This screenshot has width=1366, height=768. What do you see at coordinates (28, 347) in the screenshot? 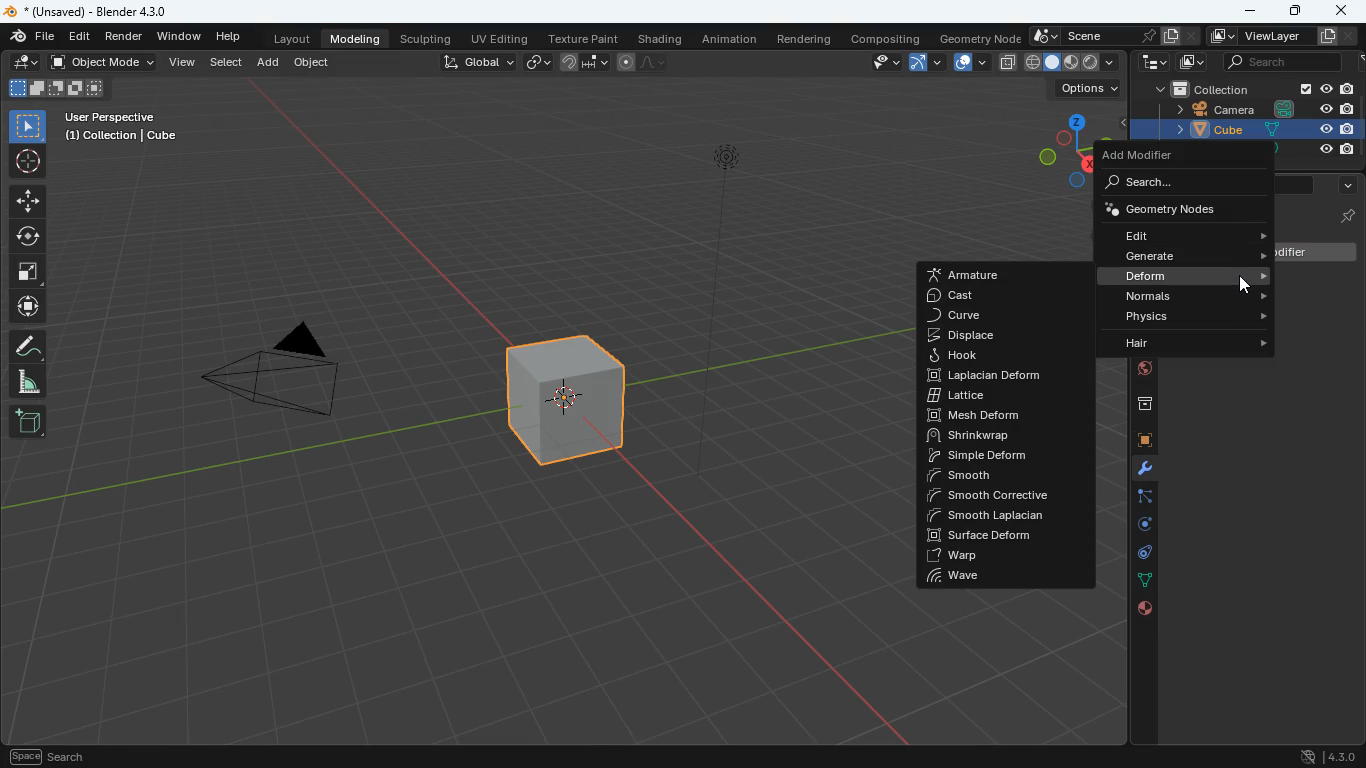
I see `draw` at bounding box center [28, 347].